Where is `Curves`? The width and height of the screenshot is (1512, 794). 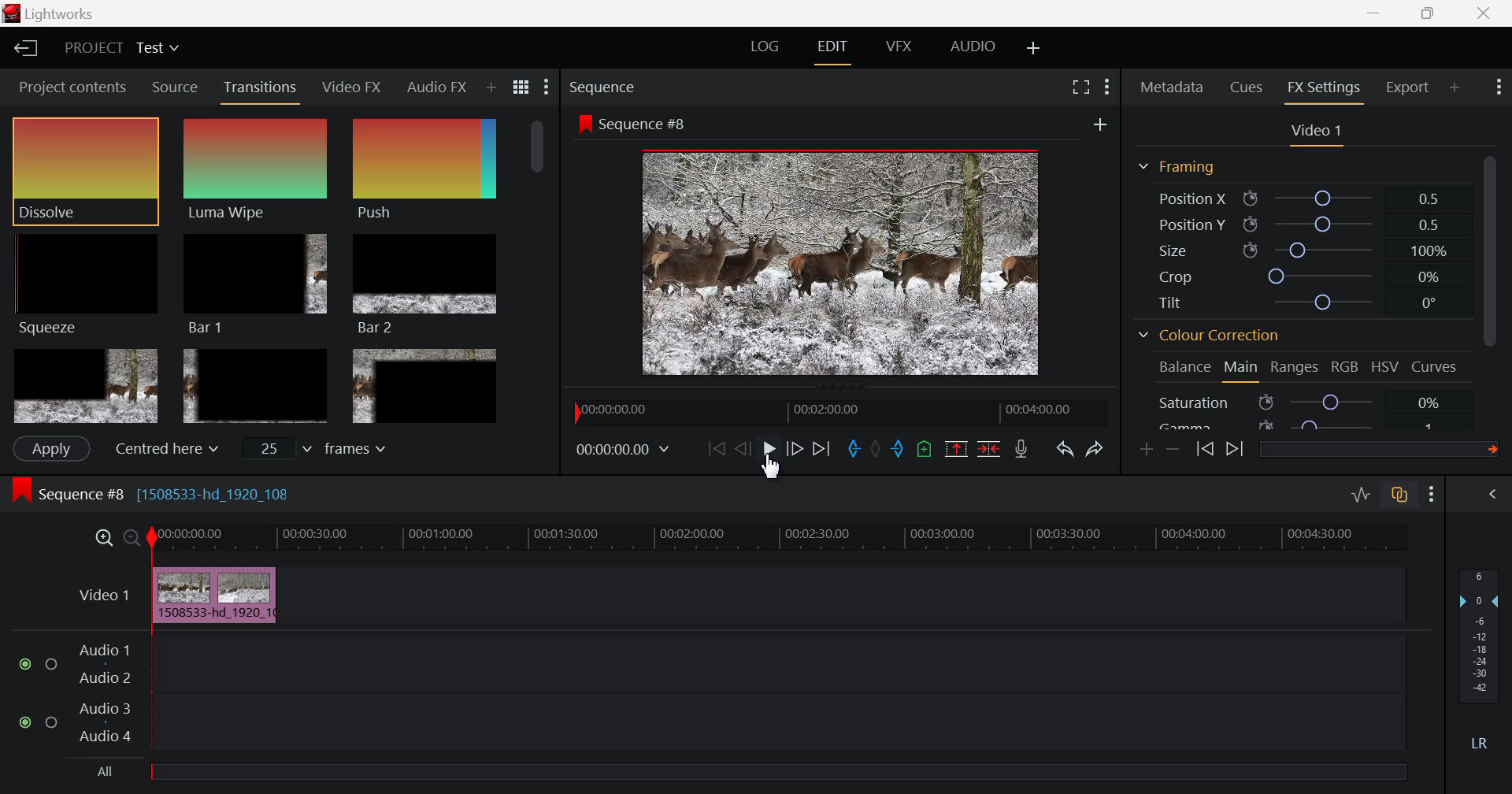
Curves is located at coordinates (1436, 367).